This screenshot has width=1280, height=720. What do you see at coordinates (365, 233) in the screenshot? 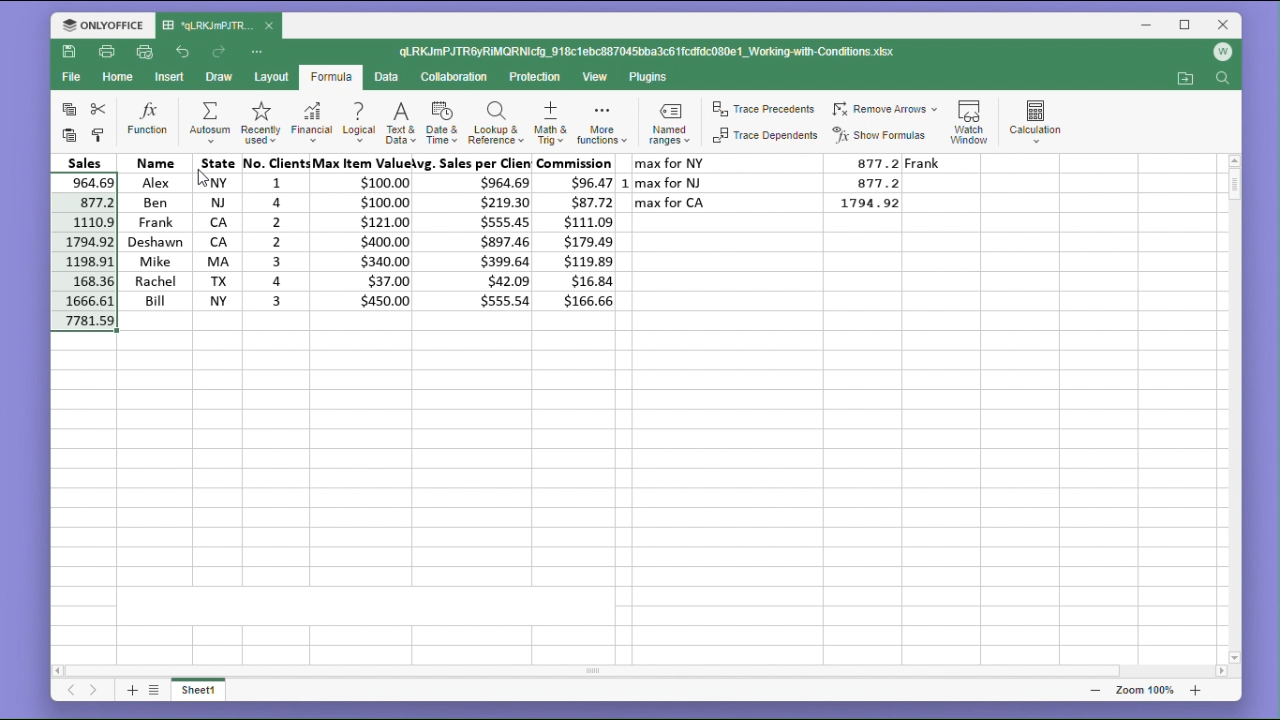
I see `max item values` at bounding box center [365, 233].